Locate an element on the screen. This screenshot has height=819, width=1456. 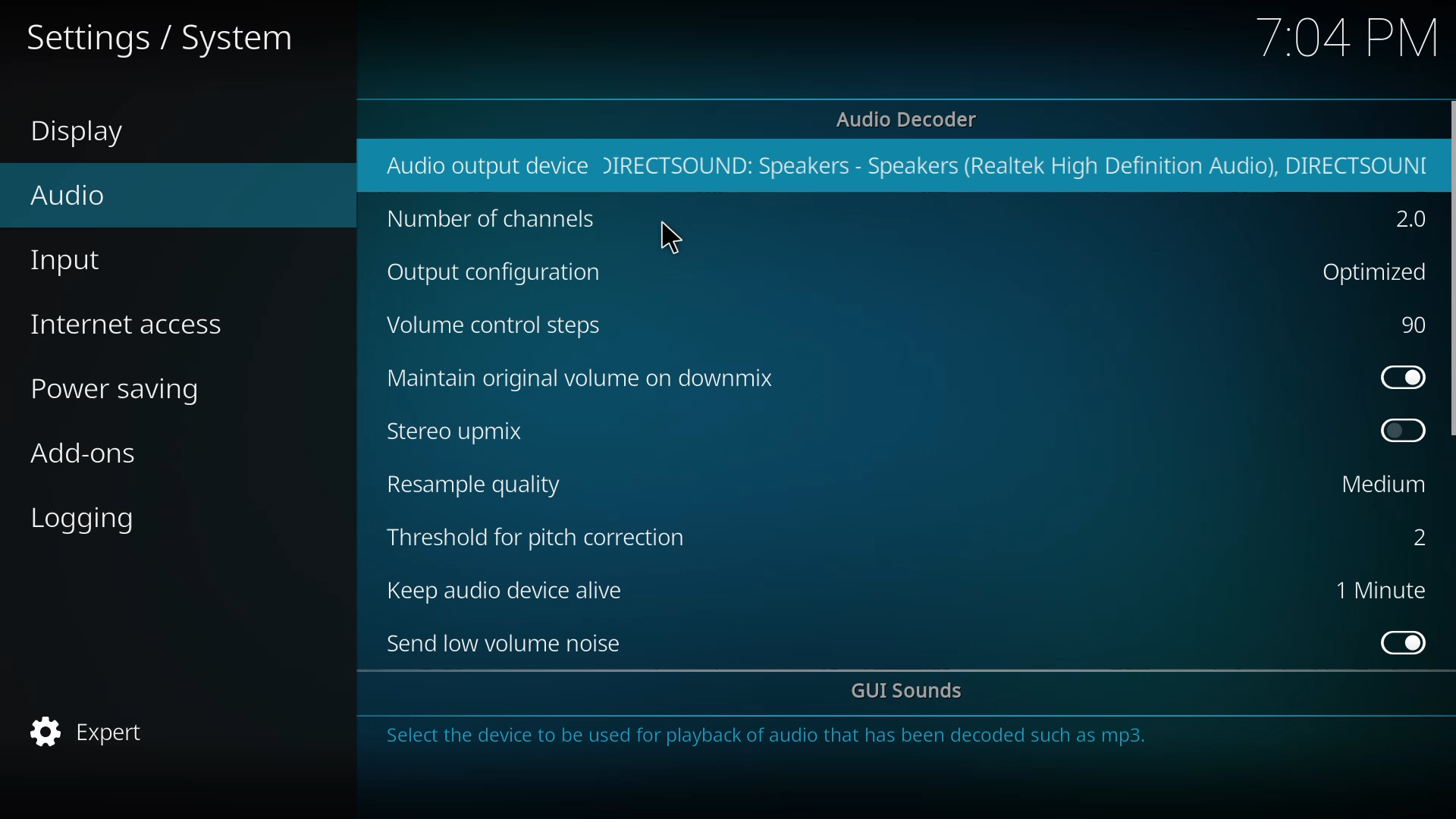
volume control steps is located at coordinates (497, 326).